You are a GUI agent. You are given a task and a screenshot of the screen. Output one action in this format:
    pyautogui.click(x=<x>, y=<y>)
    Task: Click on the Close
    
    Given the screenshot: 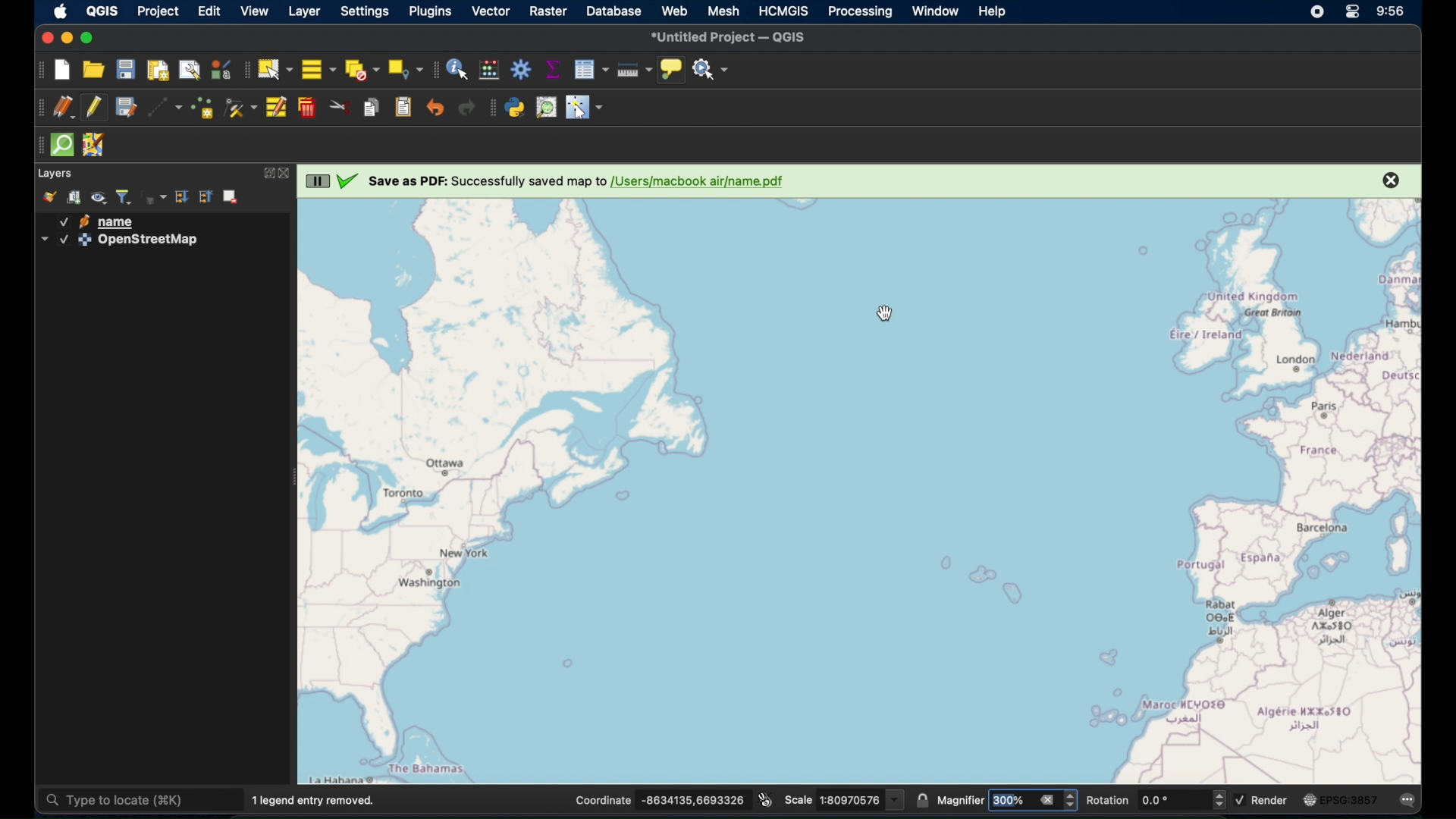 What is the action you would take?
    pyautogui.click(x=1390, y=180)
    